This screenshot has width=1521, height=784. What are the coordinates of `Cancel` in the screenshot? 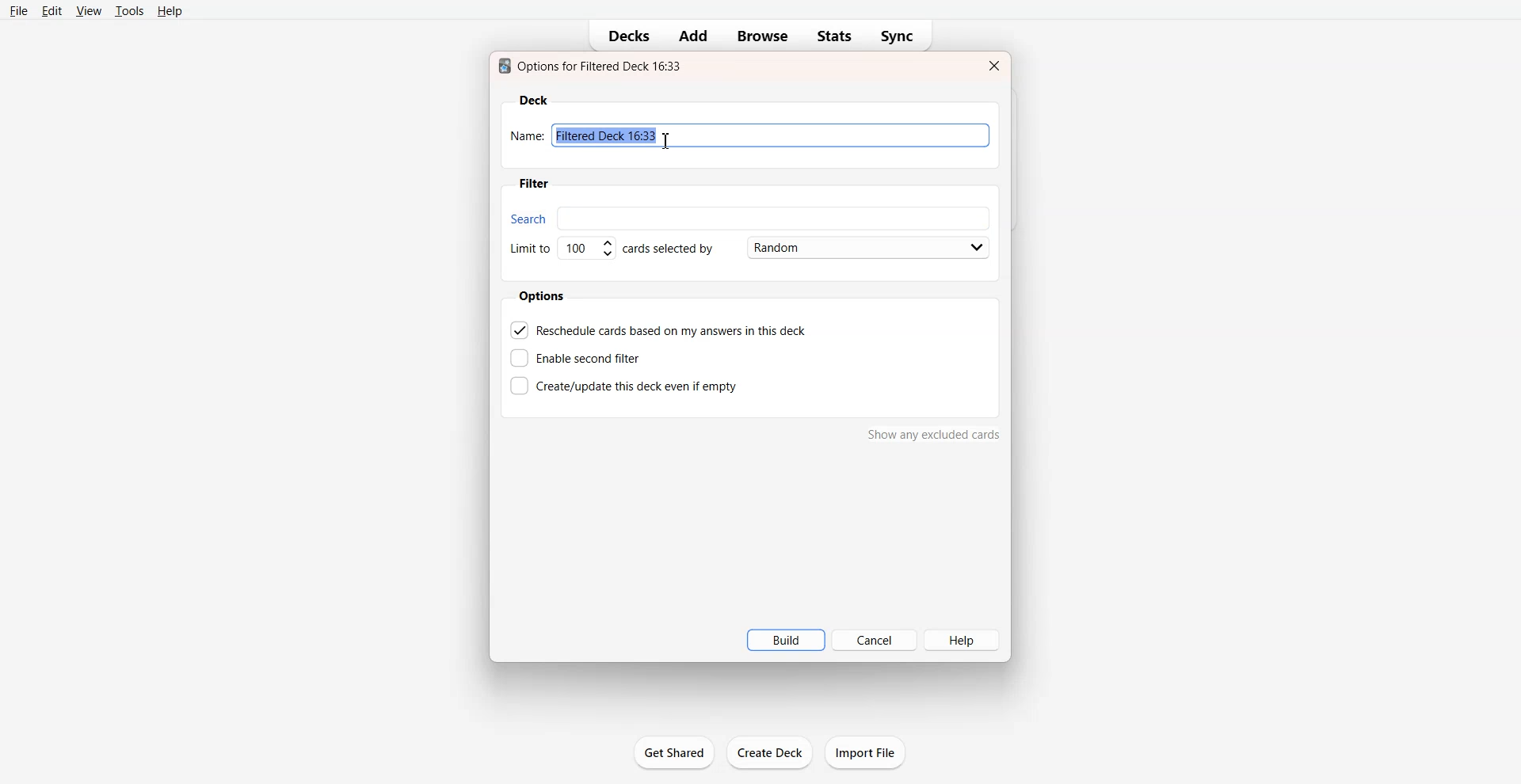 It's located at (874, 640).